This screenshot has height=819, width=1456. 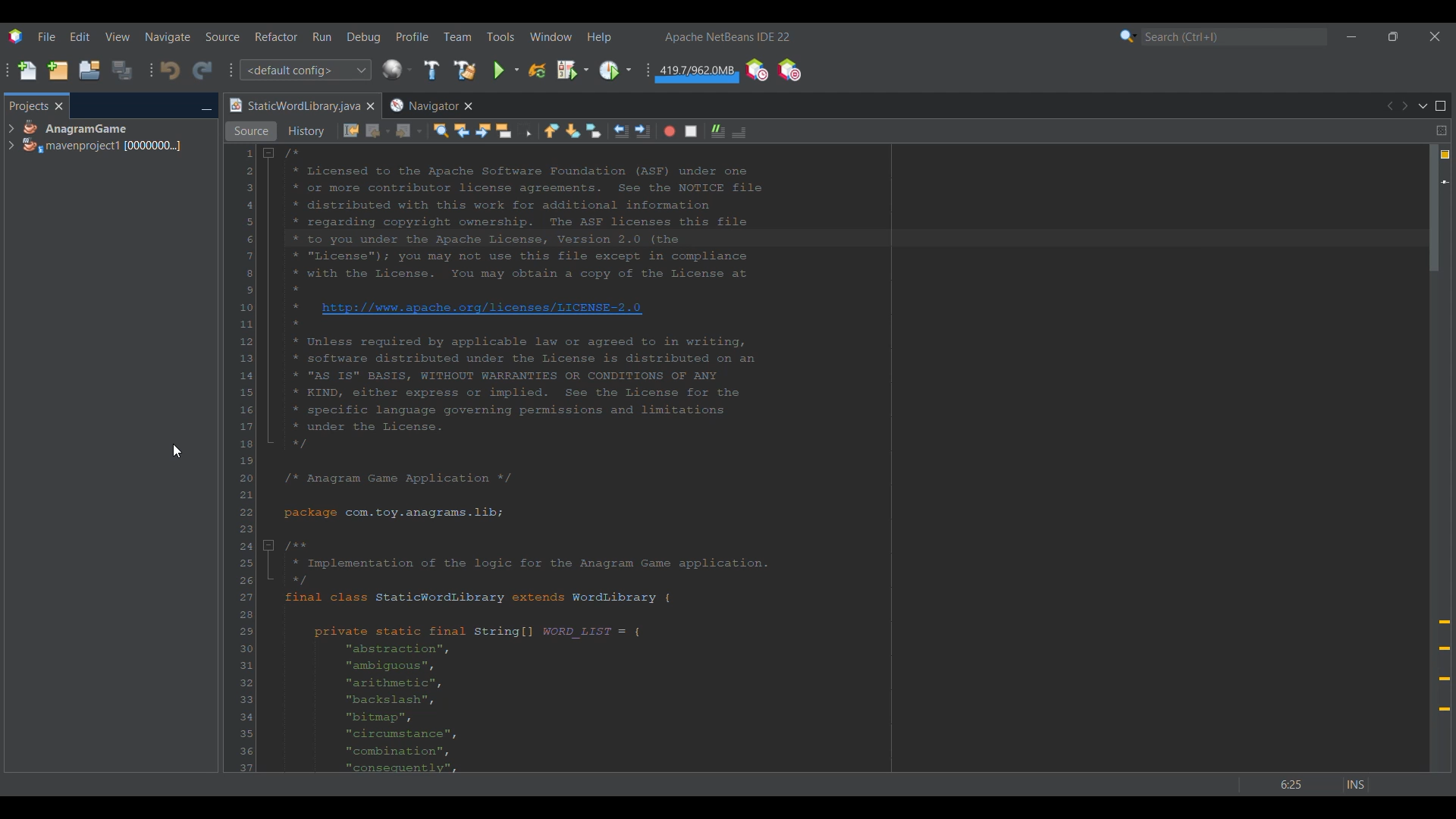 I want to click on Source view, so click(x=251, y=131).